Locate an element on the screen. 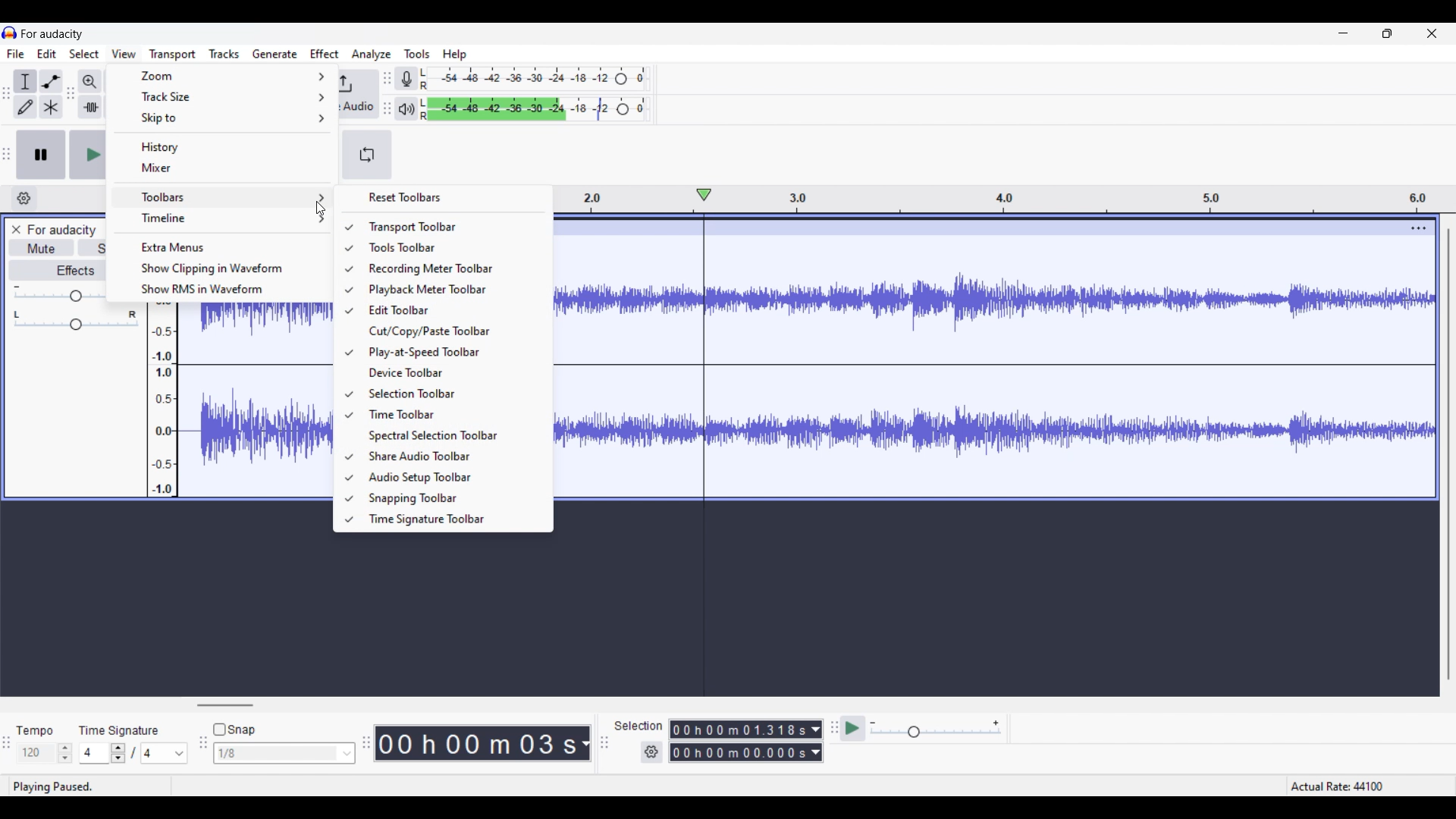  File menu is located at coordinates (16, 54).